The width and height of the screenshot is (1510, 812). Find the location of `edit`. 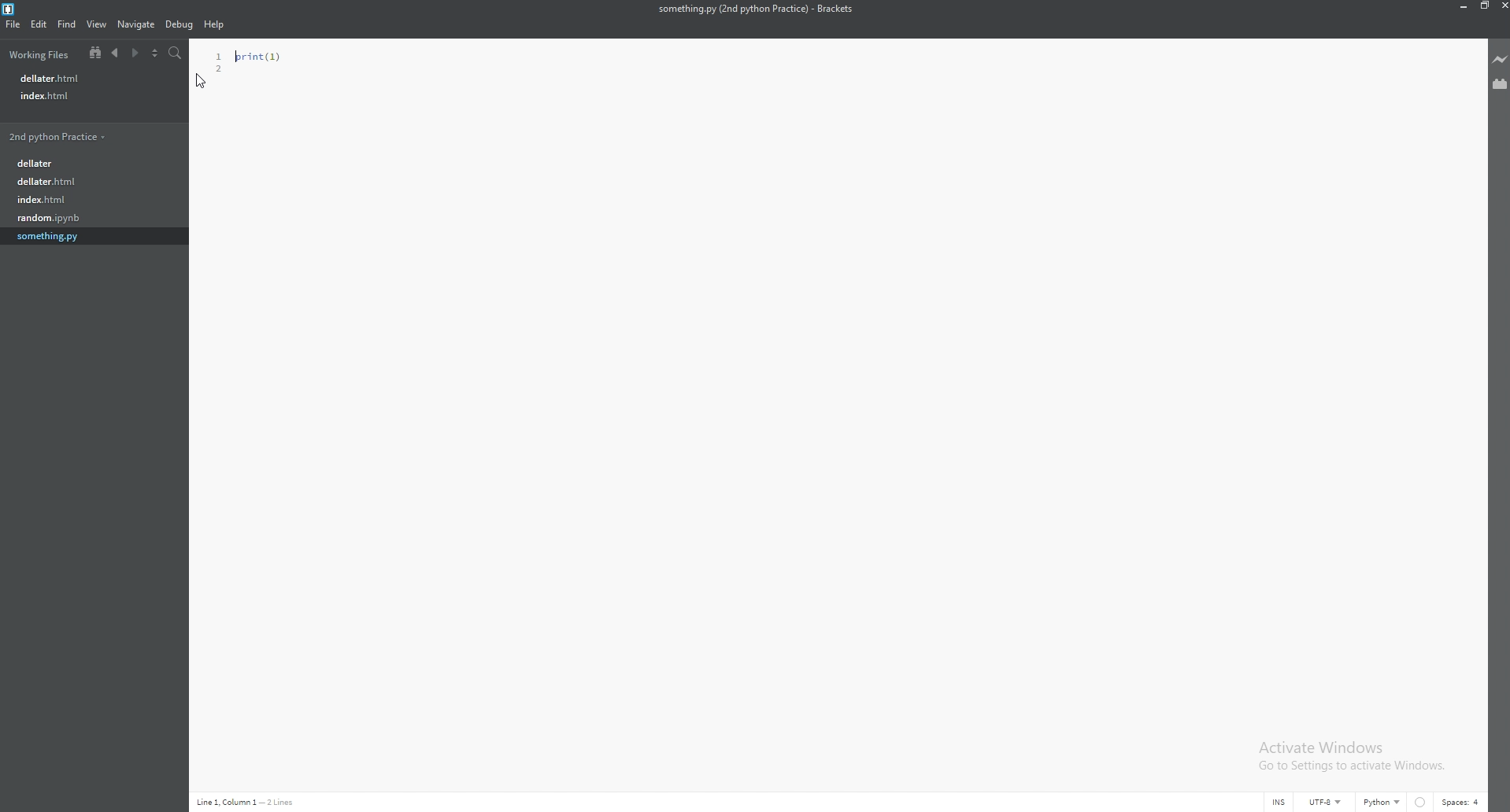

edit is located at coordinates (40, 24).